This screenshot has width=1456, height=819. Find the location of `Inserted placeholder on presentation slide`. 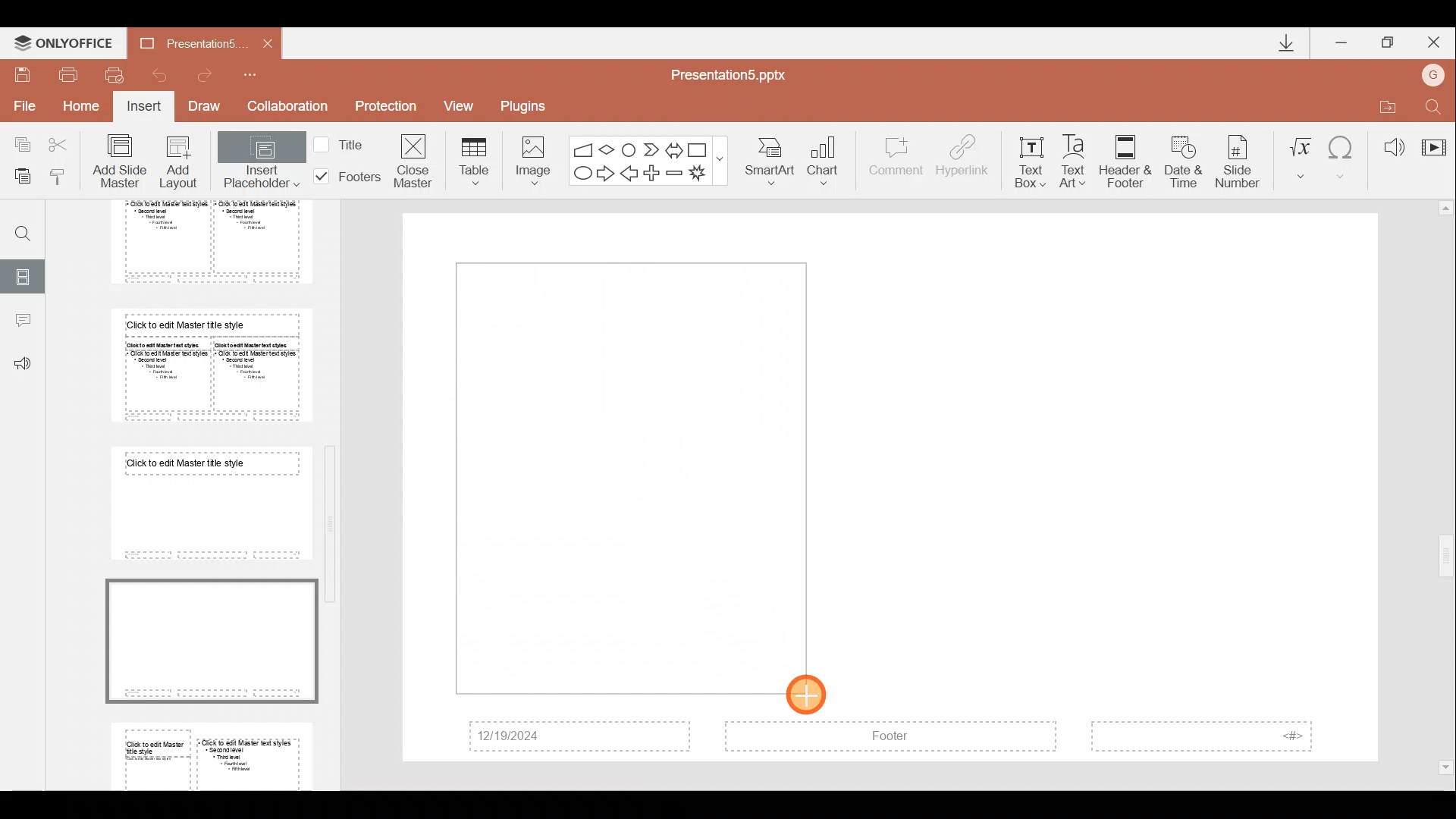

Inserted placeholder on presentation slide is located at coordinates (624, 477).